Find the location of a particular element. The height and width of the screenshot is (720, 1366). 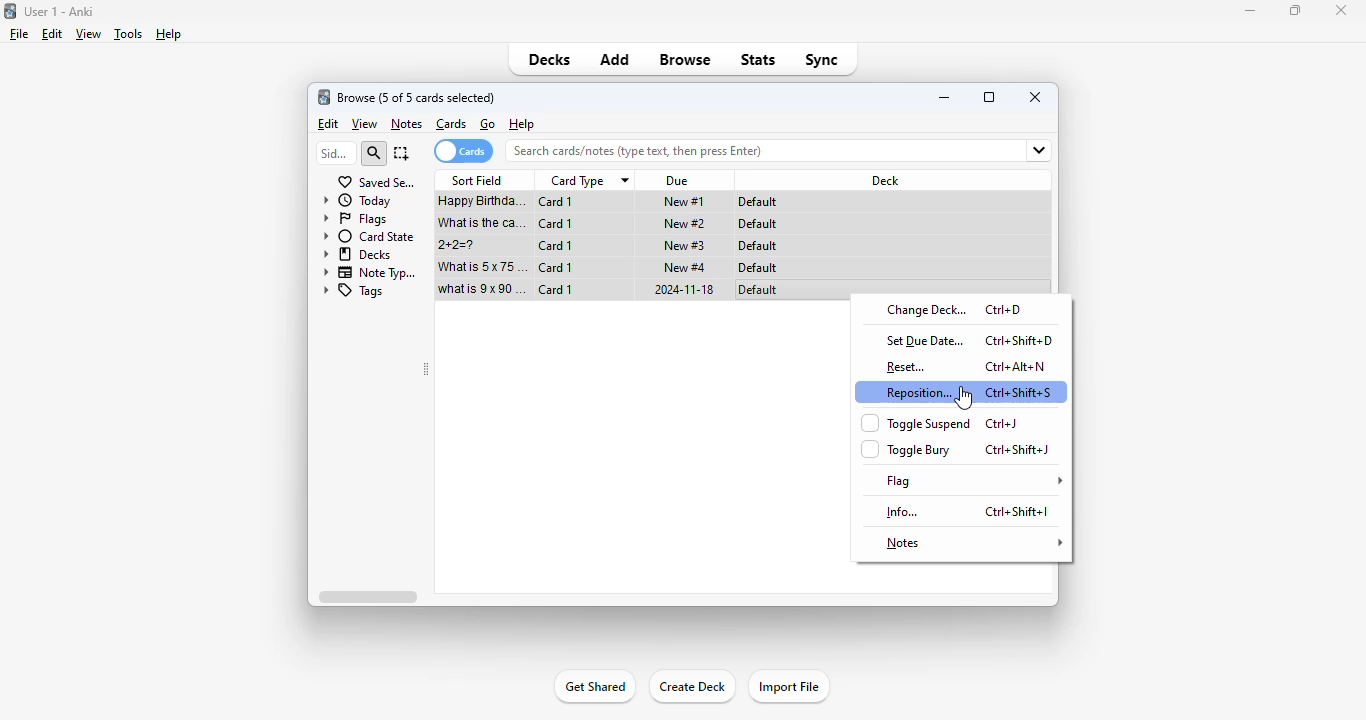

card 1  is located at coordinates (556, 289).